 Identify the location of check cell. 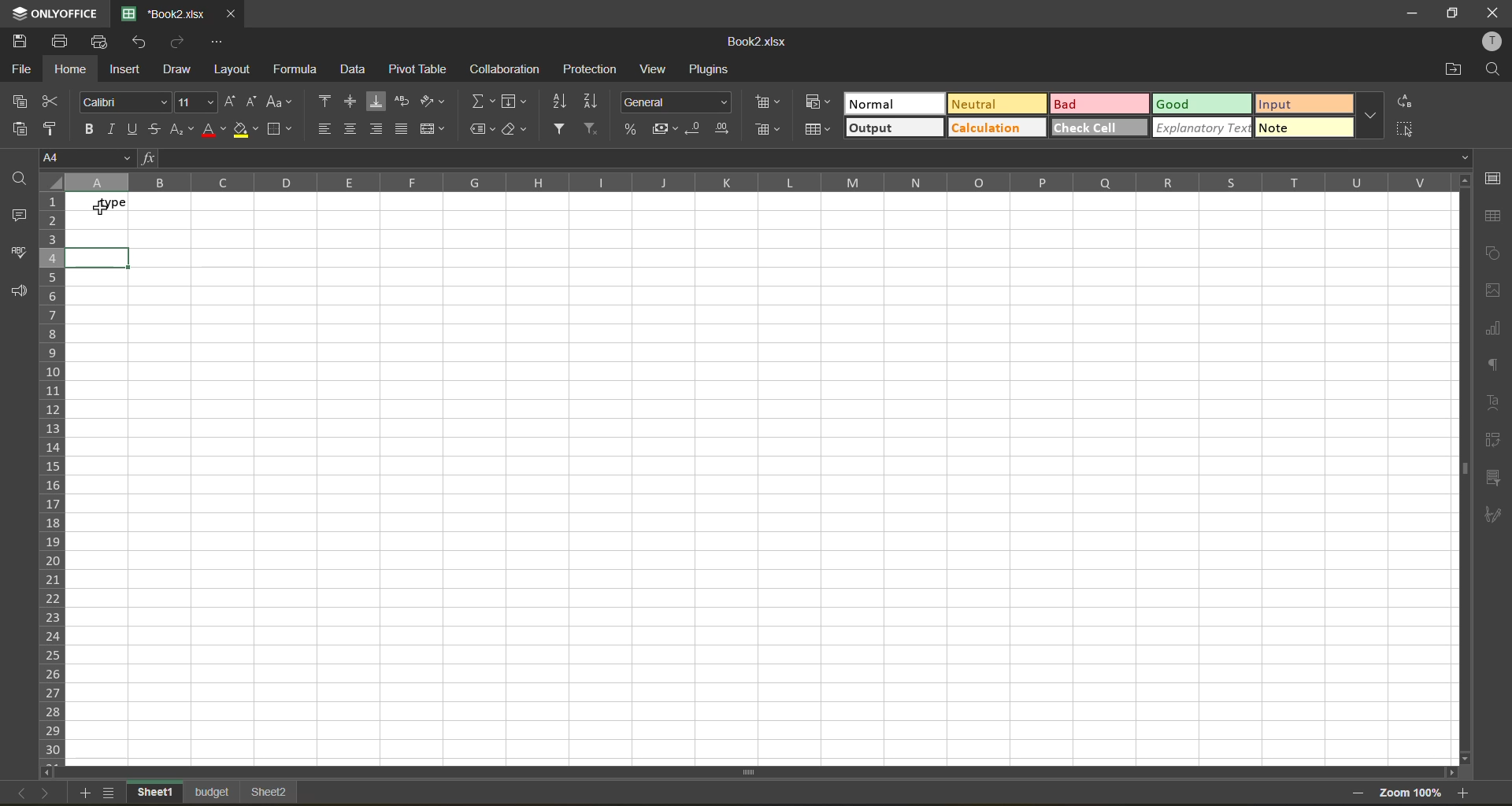
(1101, 129).